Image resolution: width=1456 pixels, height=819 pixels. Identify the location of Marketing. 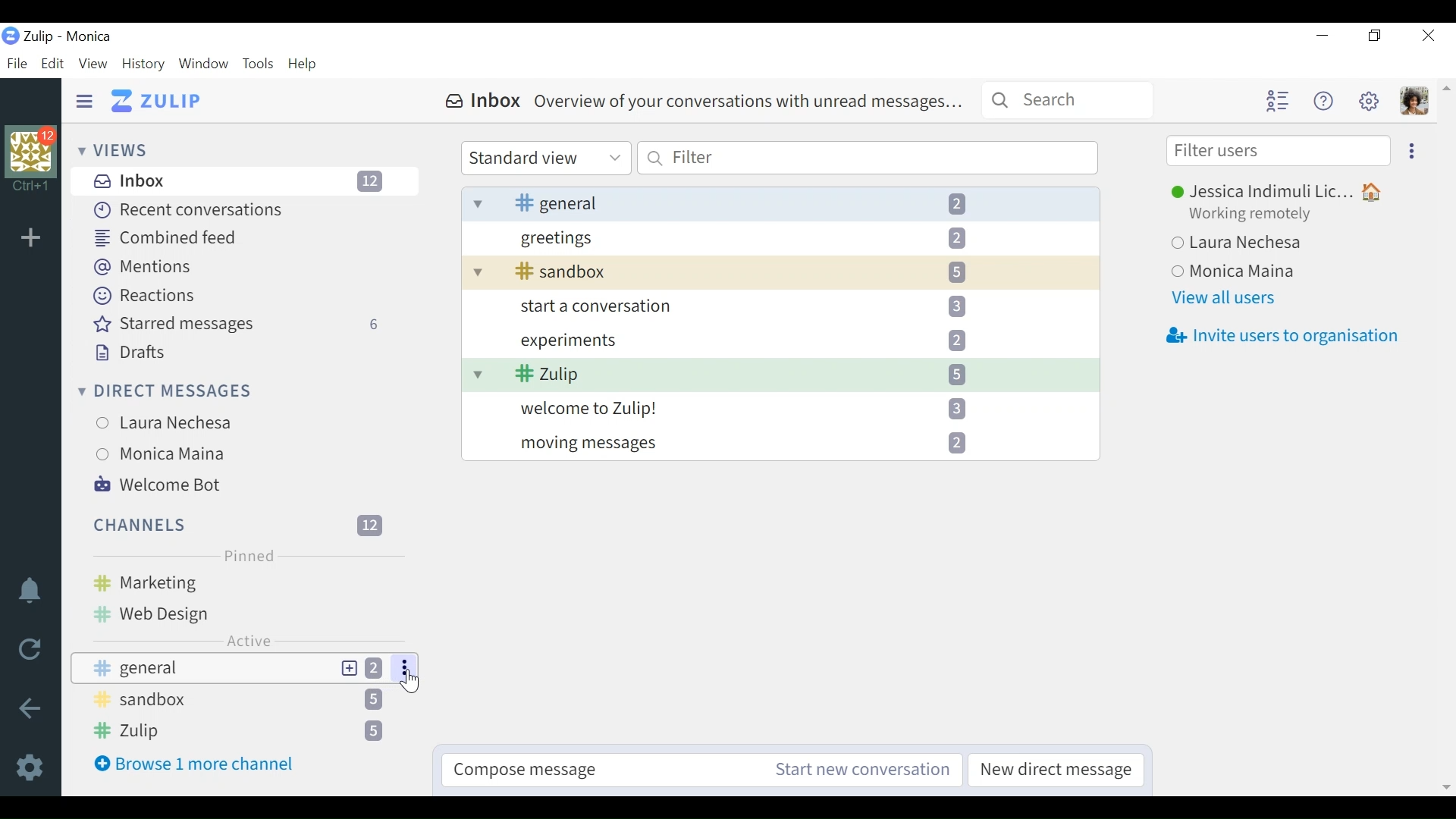
(238, 582).